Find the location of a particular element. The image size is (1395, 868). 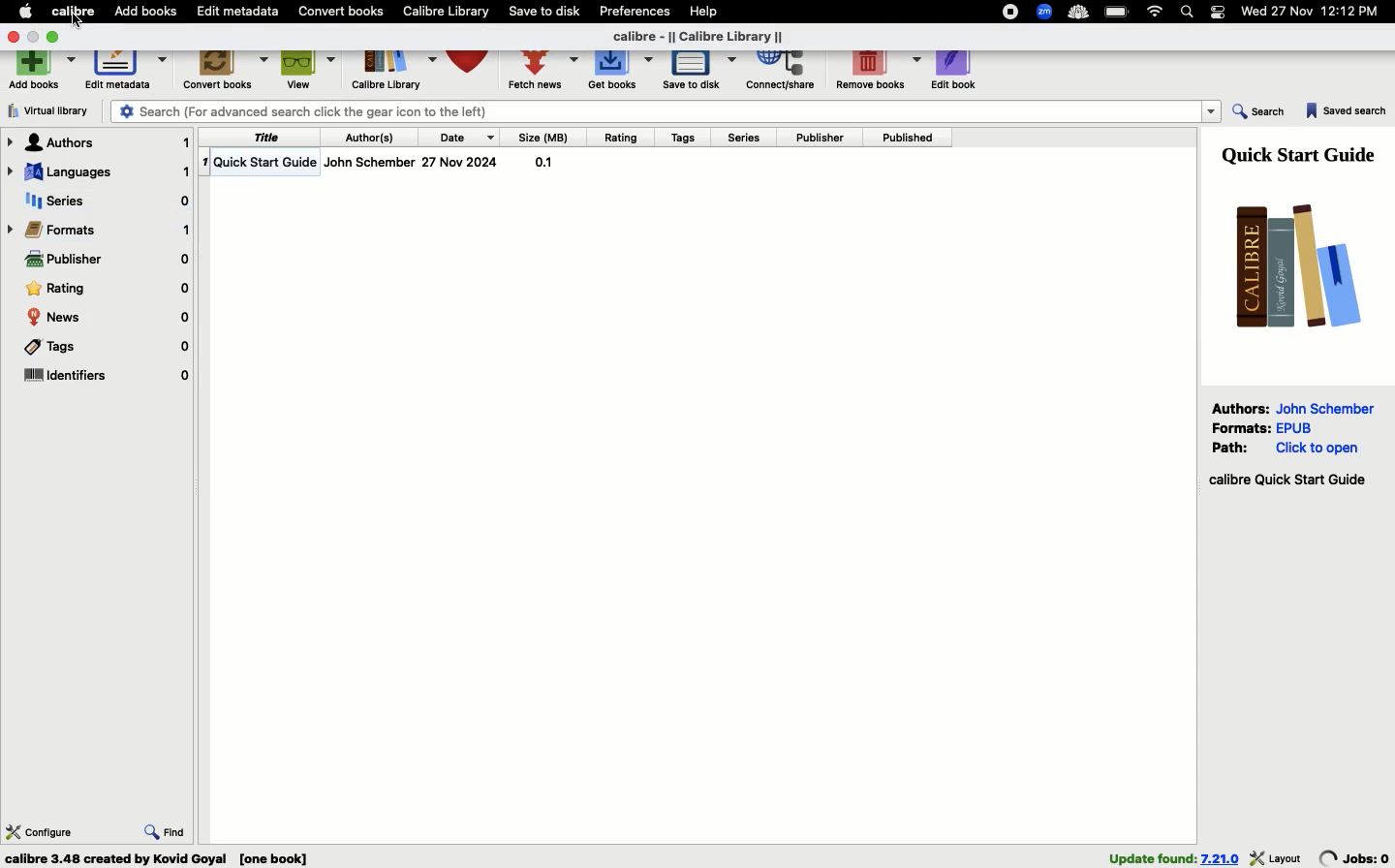

version is located at coordinates (1221, 858).